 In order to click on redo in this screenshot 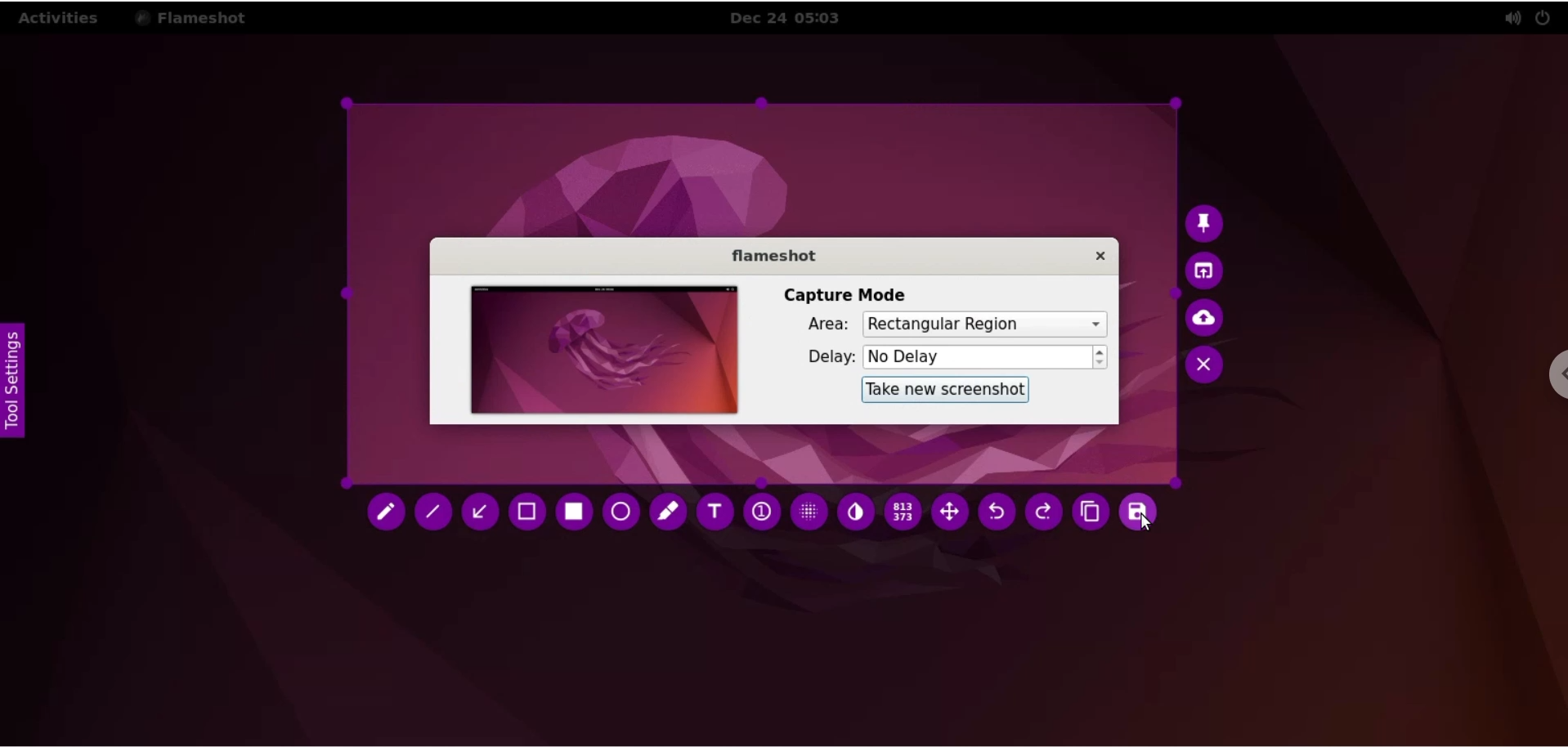, I will do `click(1041, 513)`.